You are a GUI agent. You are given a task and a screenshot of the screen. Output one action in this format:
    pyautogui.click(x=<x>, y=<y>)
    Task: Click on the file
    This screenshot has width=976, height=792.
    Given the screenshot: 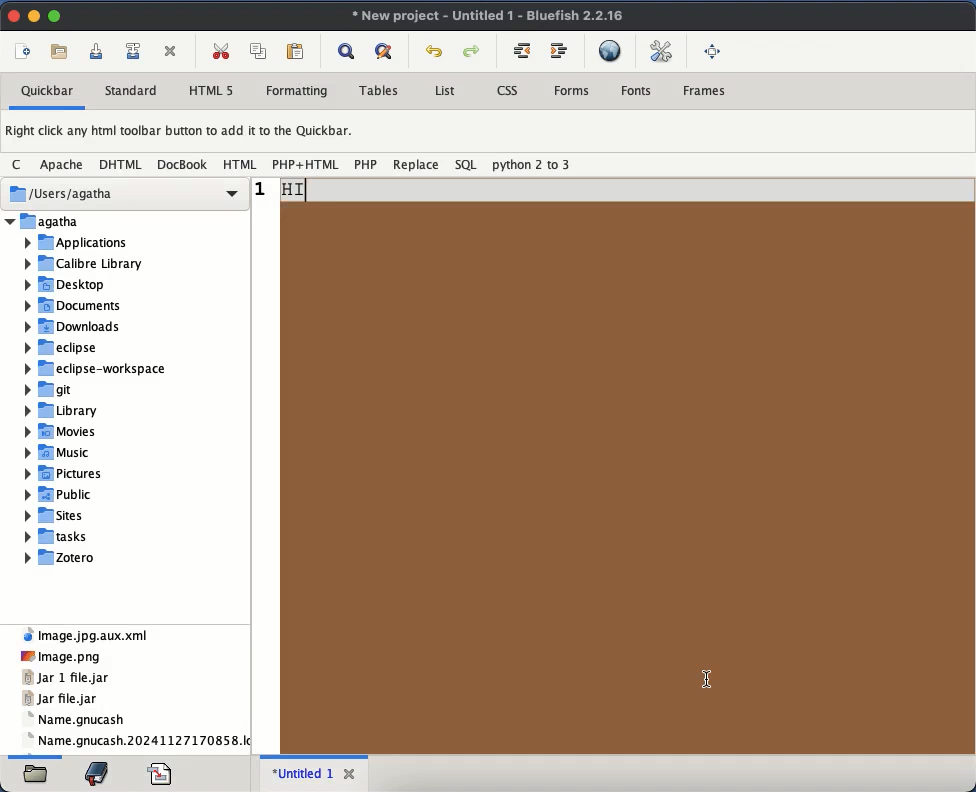 What is the action you would take?
    pyautogui.click(x=162, y=772)
    